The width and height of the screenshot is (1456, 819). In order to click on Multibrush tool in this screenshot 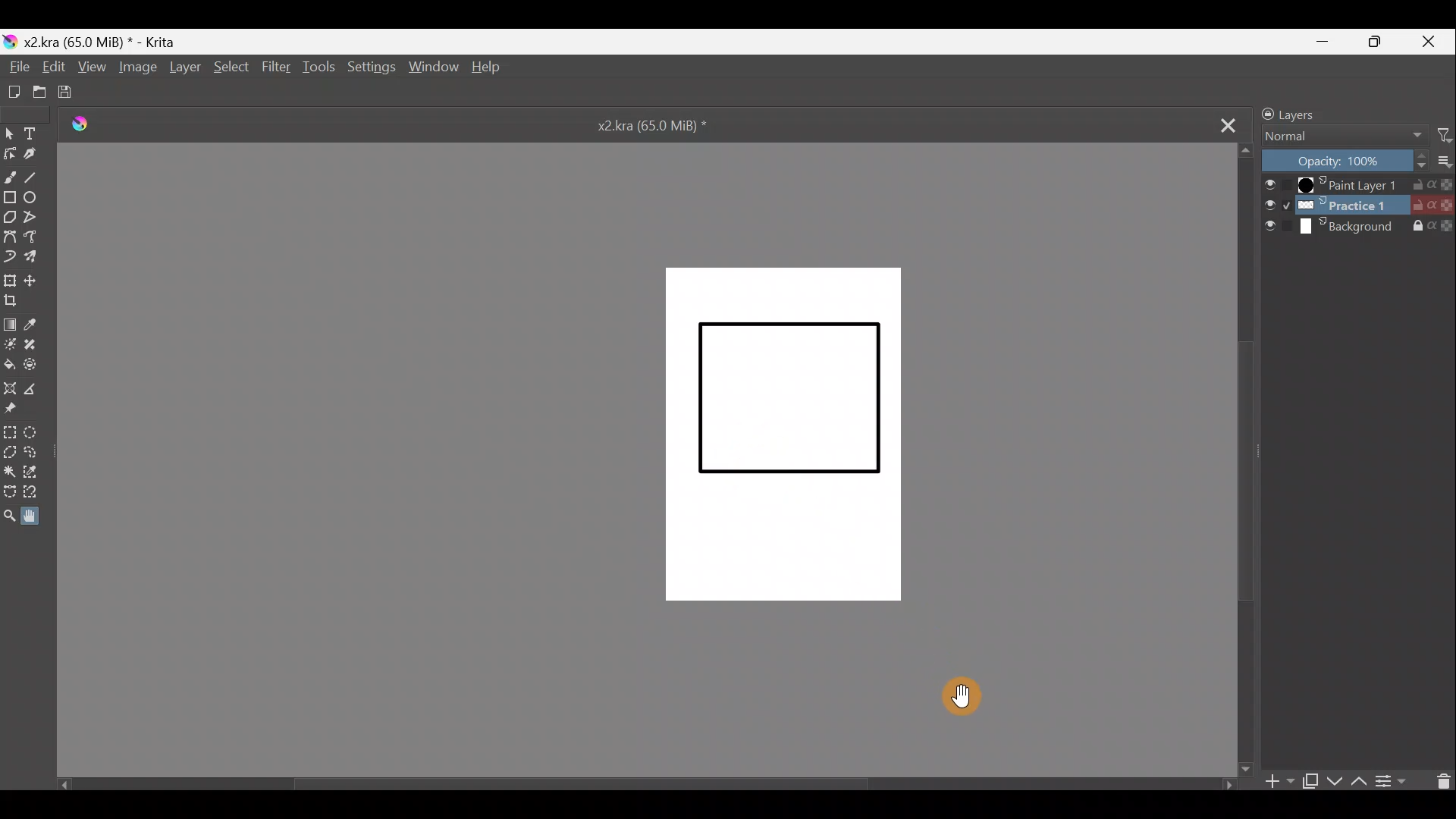, I will do `click(36, 257)`.